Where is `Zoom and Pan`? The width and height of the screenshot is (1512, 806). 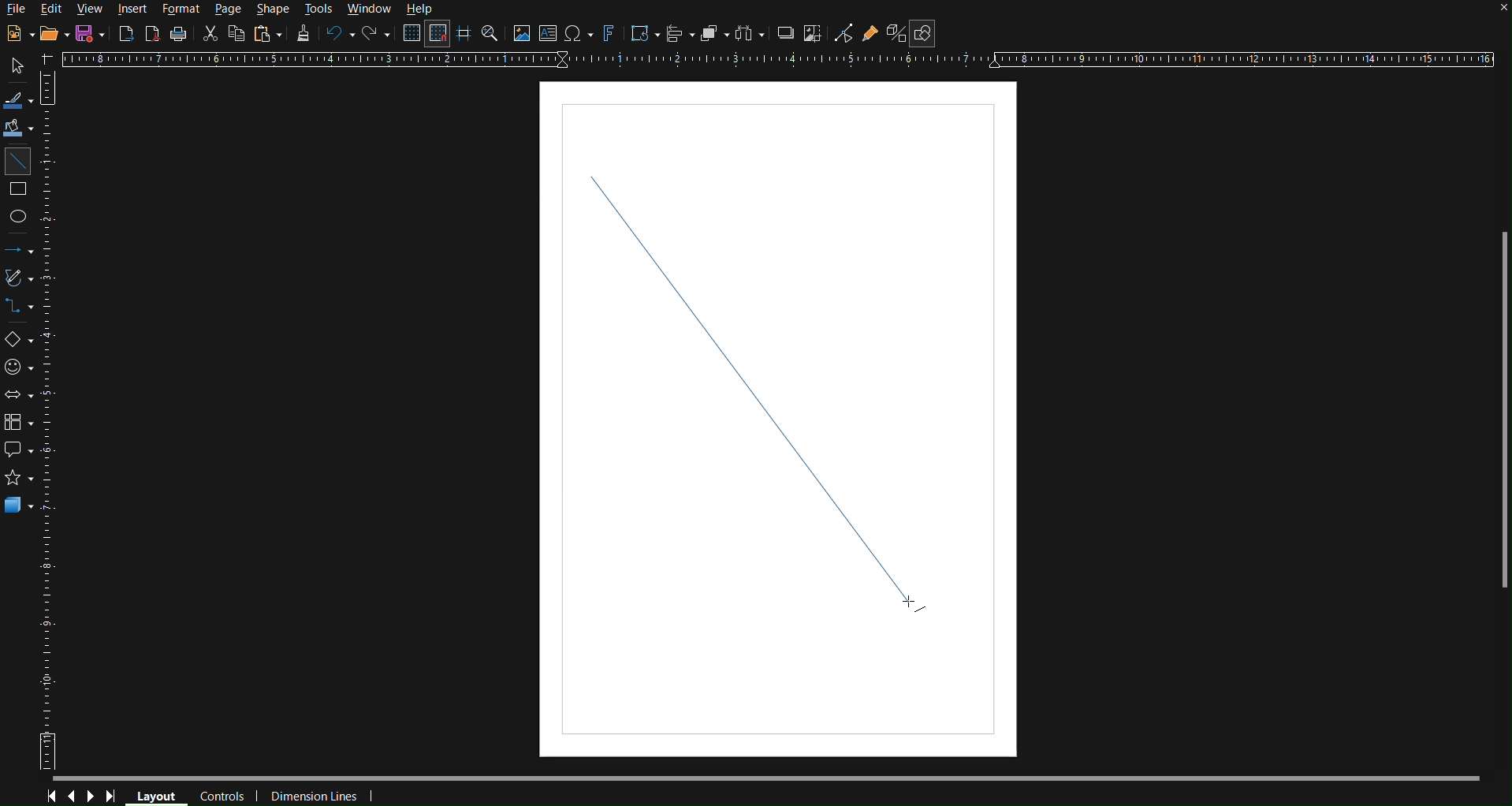
Zoom and Pan is located at coordinates (490, 33).